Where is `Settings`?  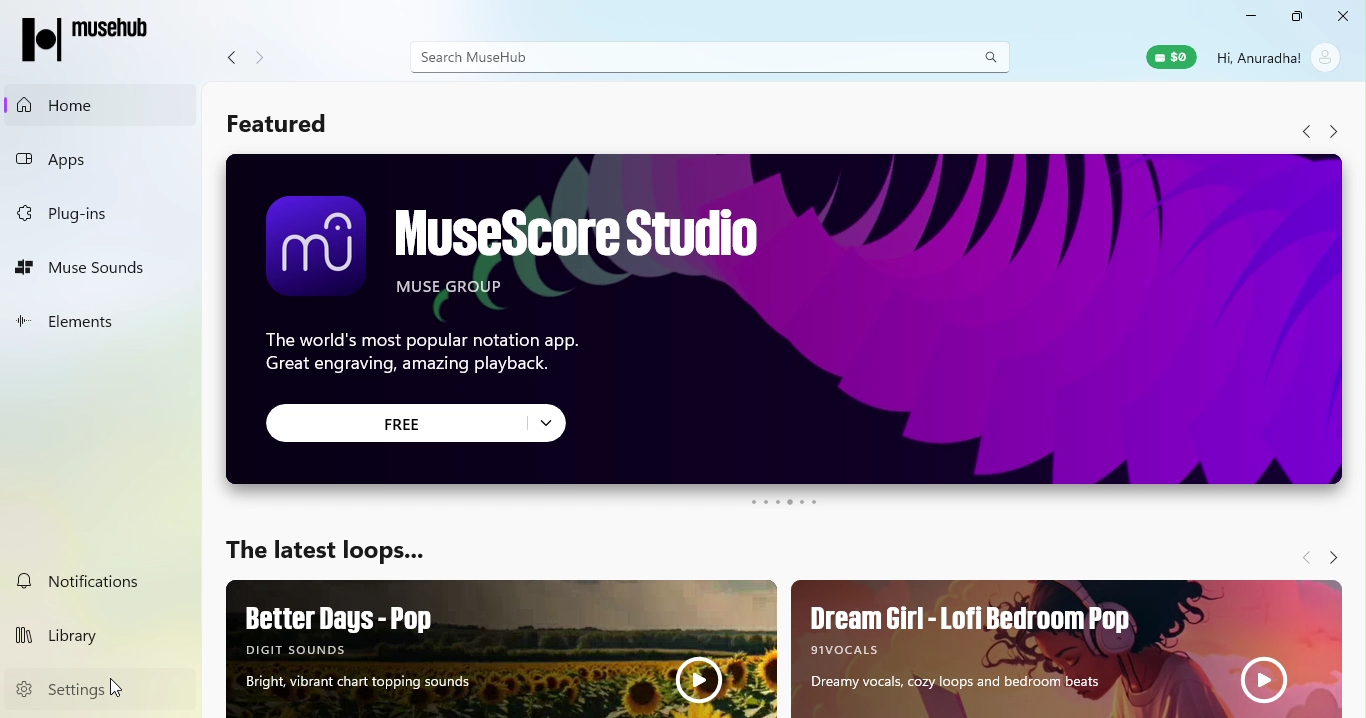 Settings is located at coordinates (106, 689).